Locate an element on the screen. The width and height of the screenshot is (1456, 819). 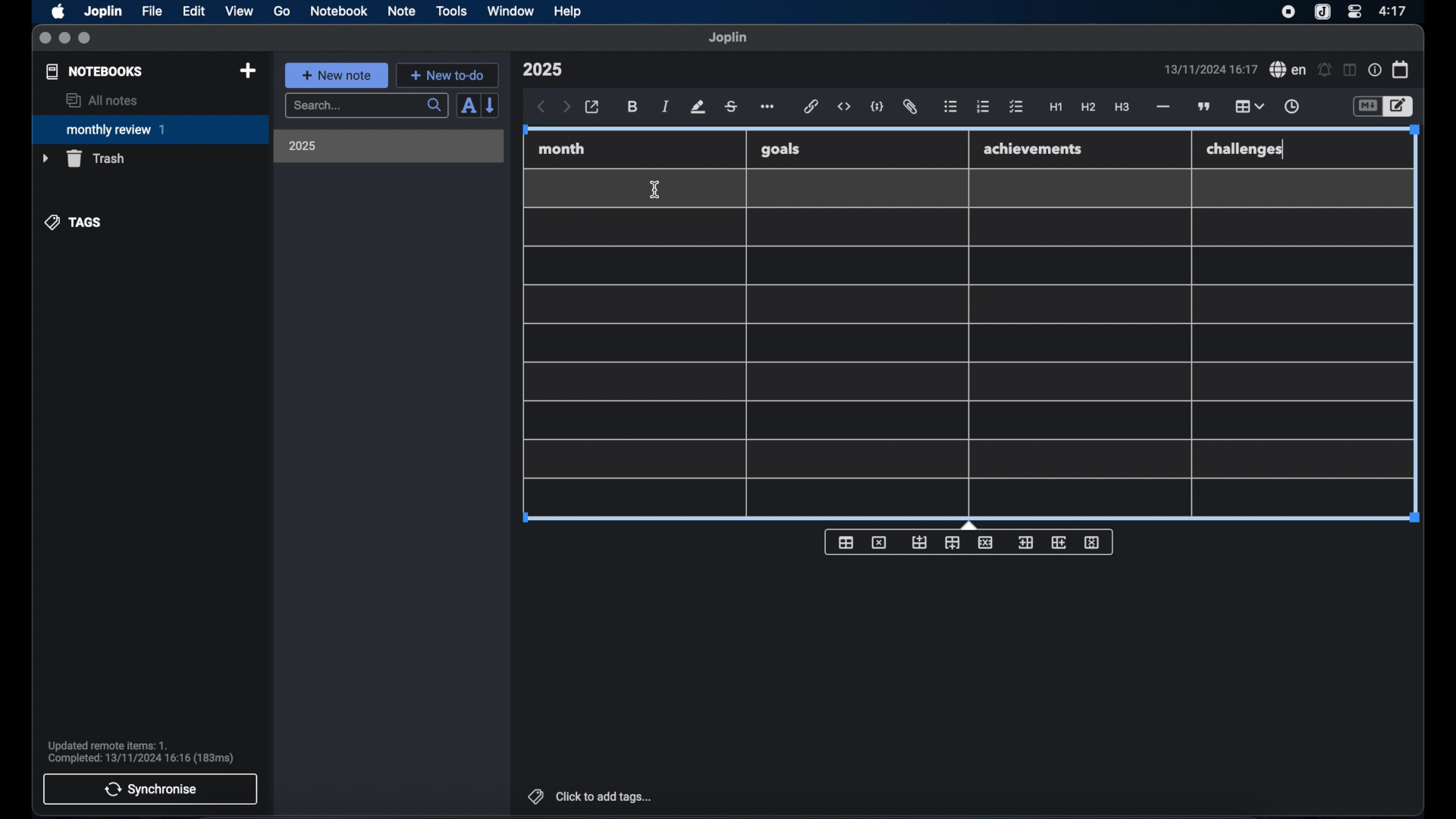
heading 1 is located at coordinates (1056, 108).